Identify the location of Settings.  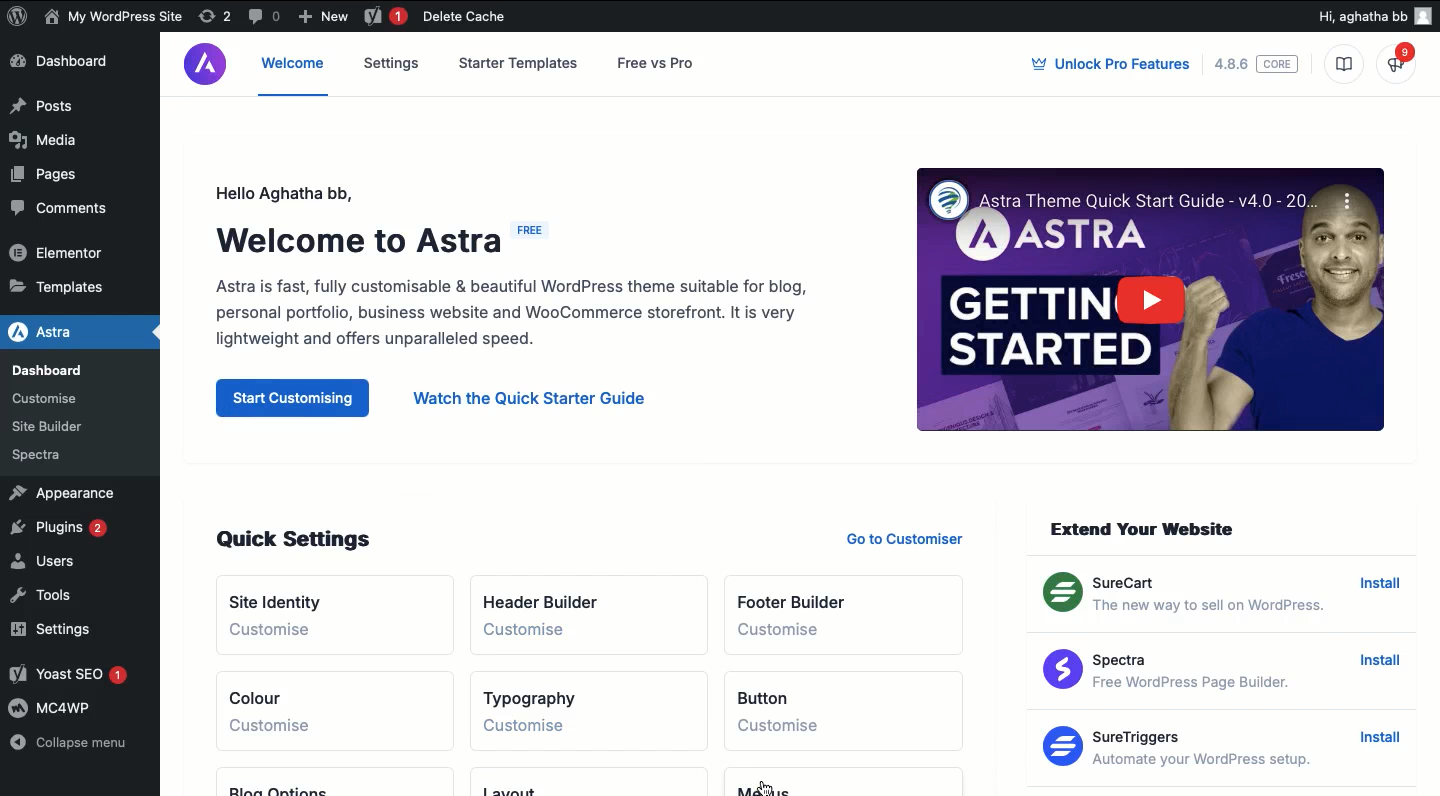
(392, 62).